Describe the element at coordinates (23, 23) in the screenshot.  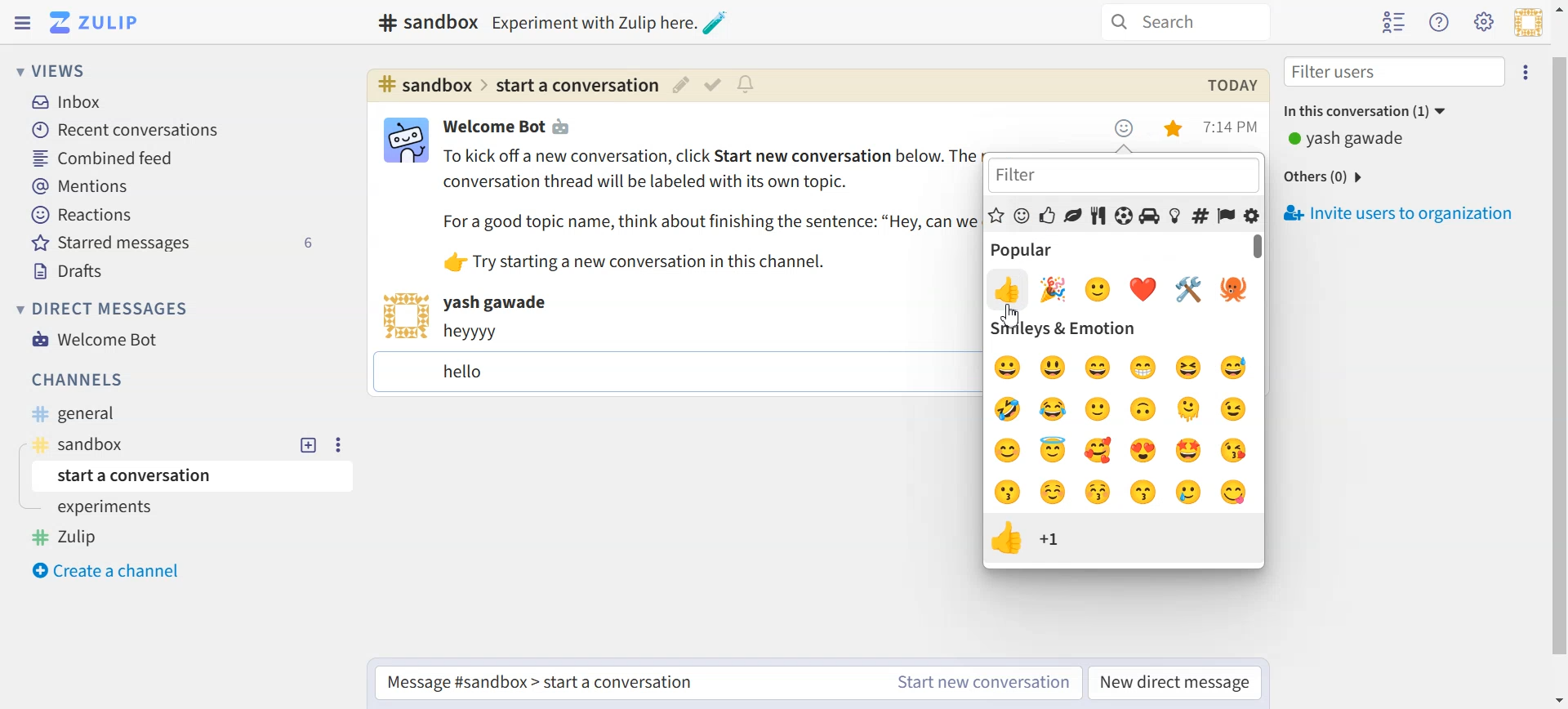
I see `Hide Left sidebar` at that location.